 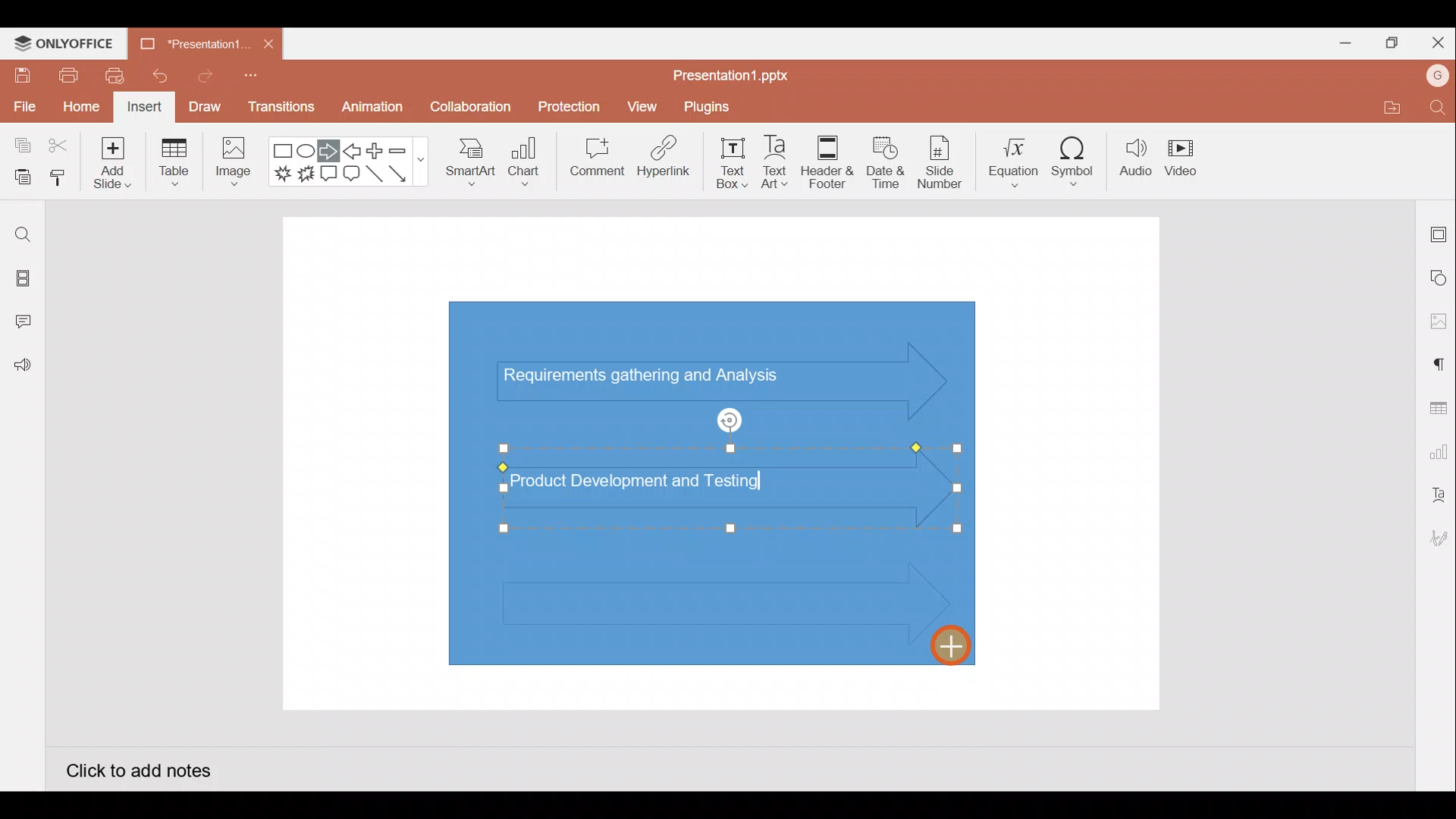 What do you see at coordinates (20, 146) in the screenshot?
I see `Copy` at bounding box center [20, 146].